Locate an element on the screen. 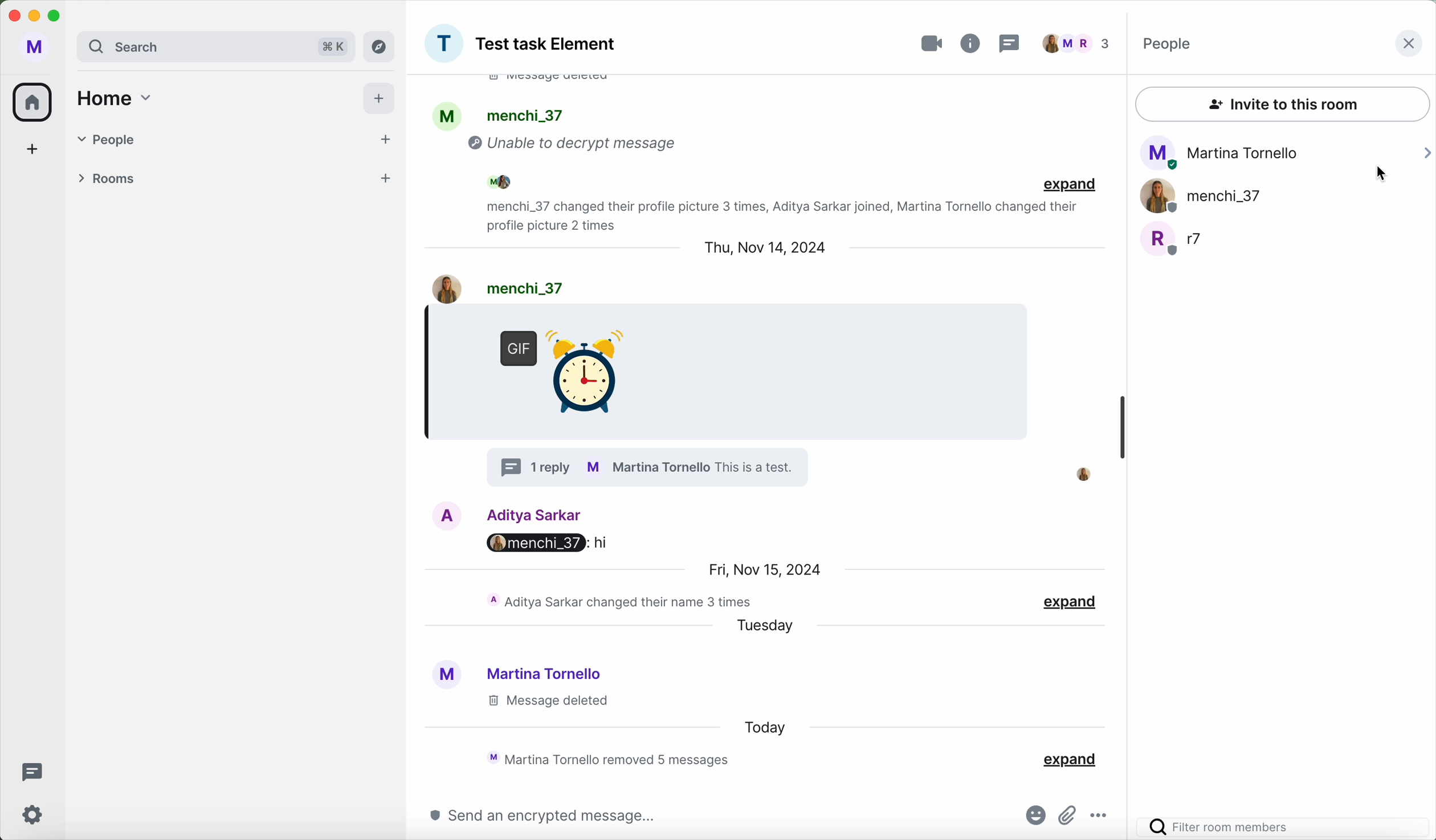  hi is located at coordinates (600, 541).